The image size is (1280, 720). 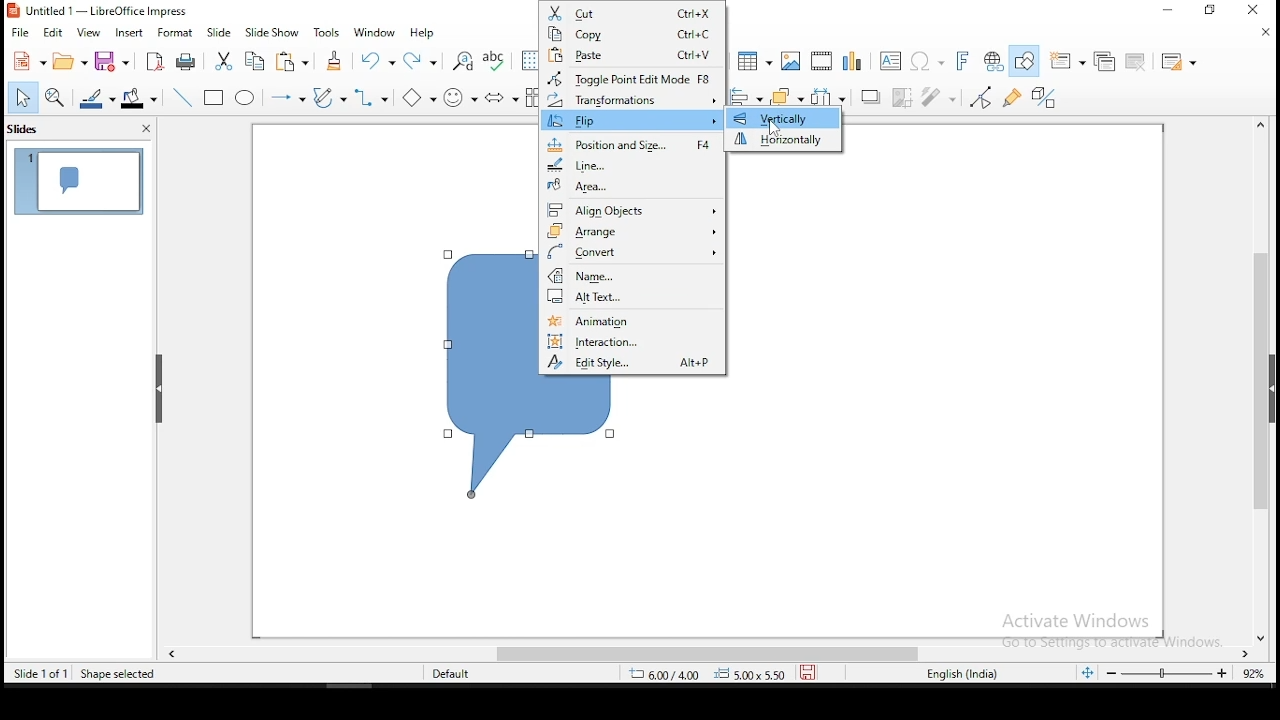 What do you see at coordinates (76, 181) in the screenshot?
I see `slide 1` at bounding box center [76, 181].